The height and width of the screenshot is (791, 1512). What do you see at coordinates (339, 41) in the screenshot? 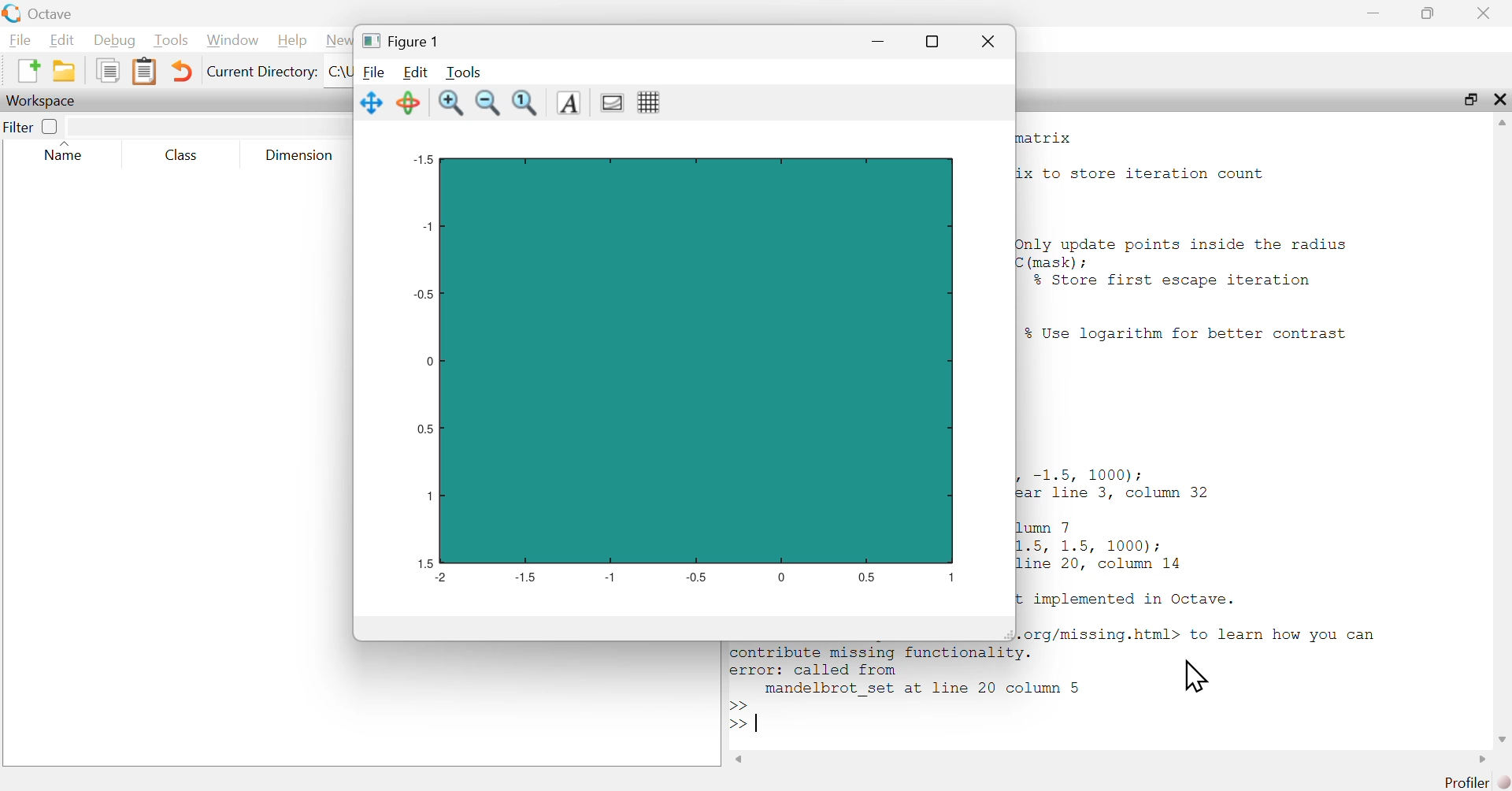
I see `News` at bounding box center [339, 41].